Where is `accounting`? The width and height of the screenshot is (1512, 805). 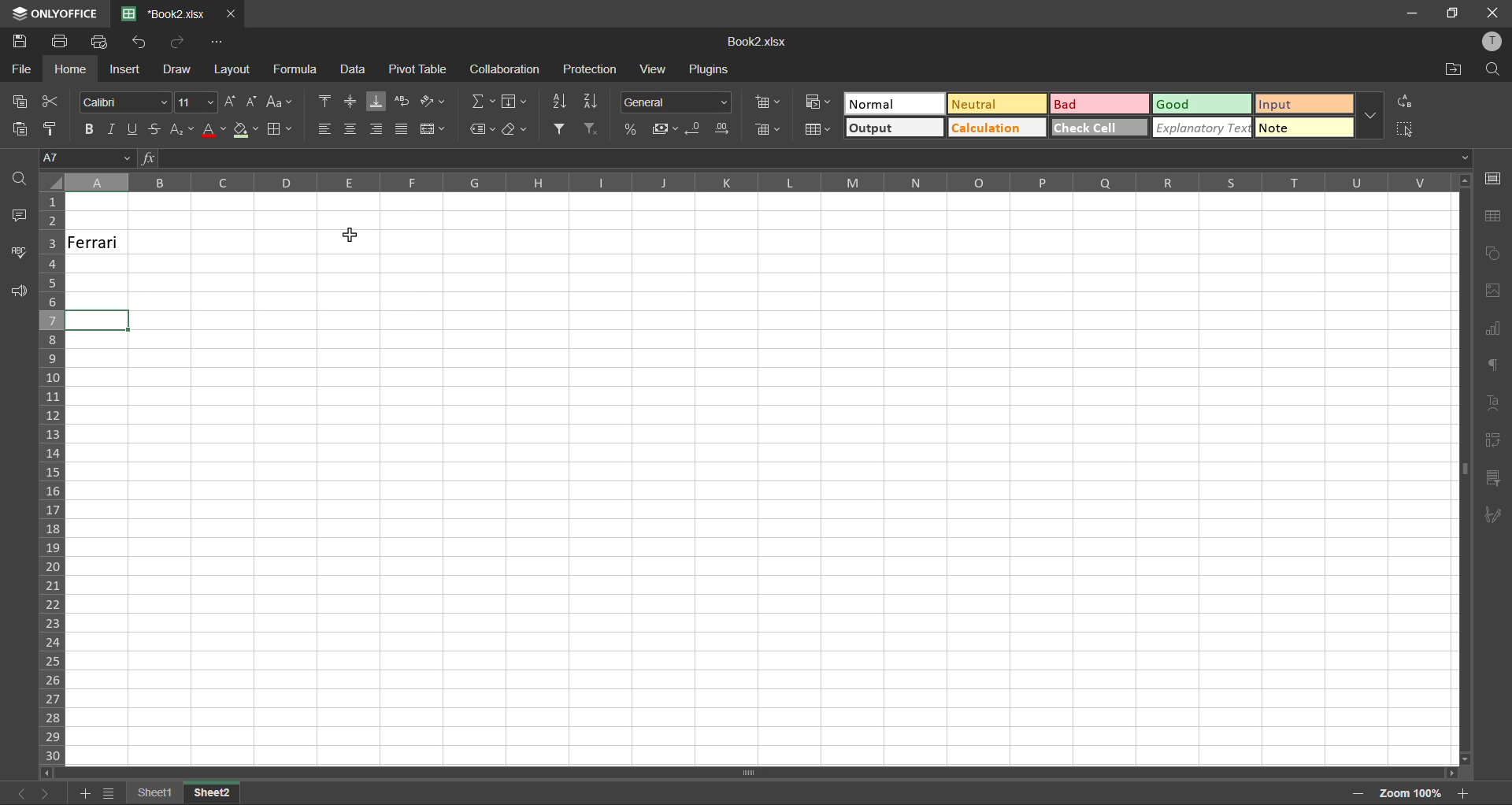 accounting is located at coordinates (665, 129).